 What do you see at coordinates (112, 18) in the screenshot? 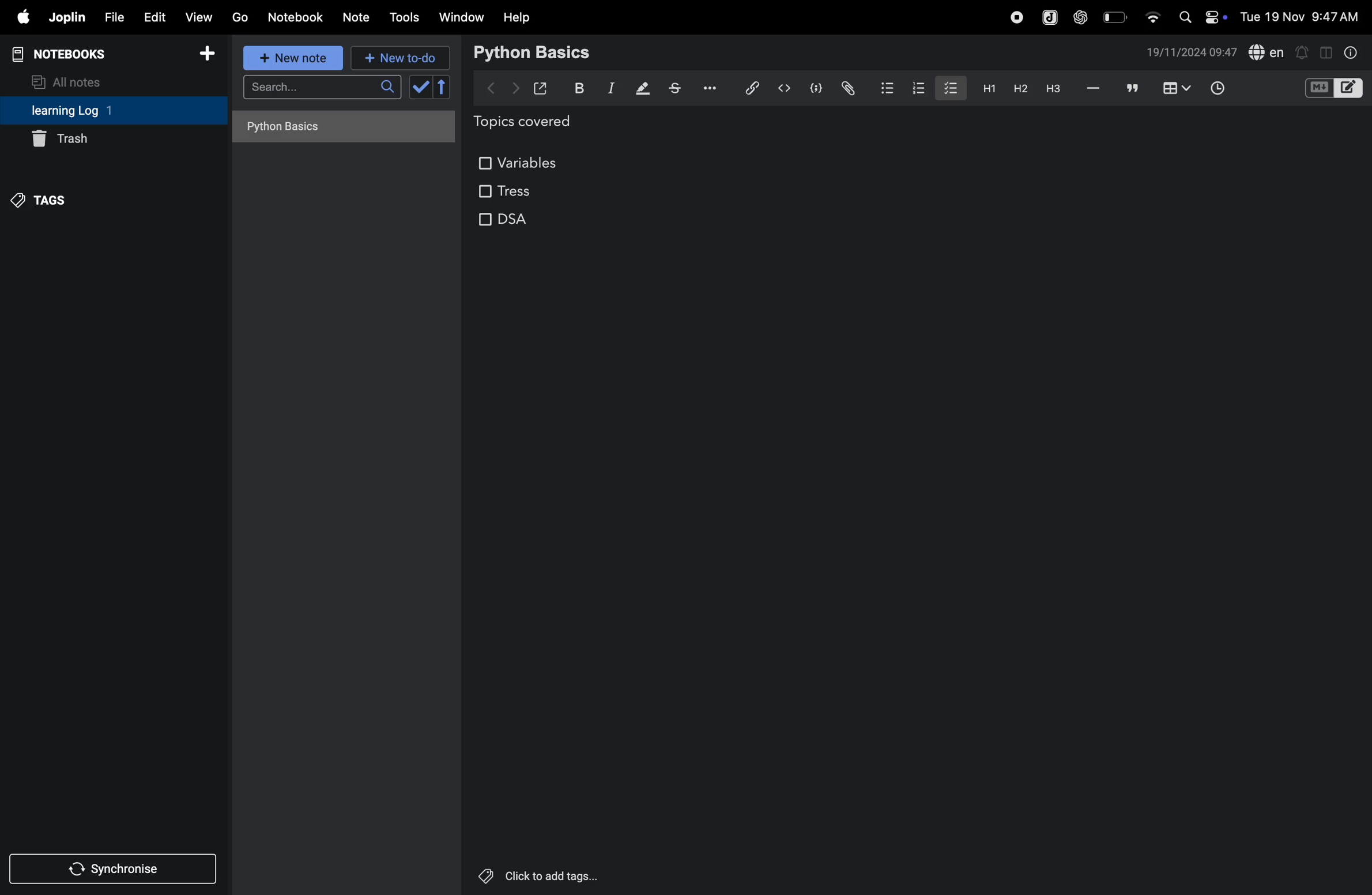
I see `file` at bounding box center [112, 18].